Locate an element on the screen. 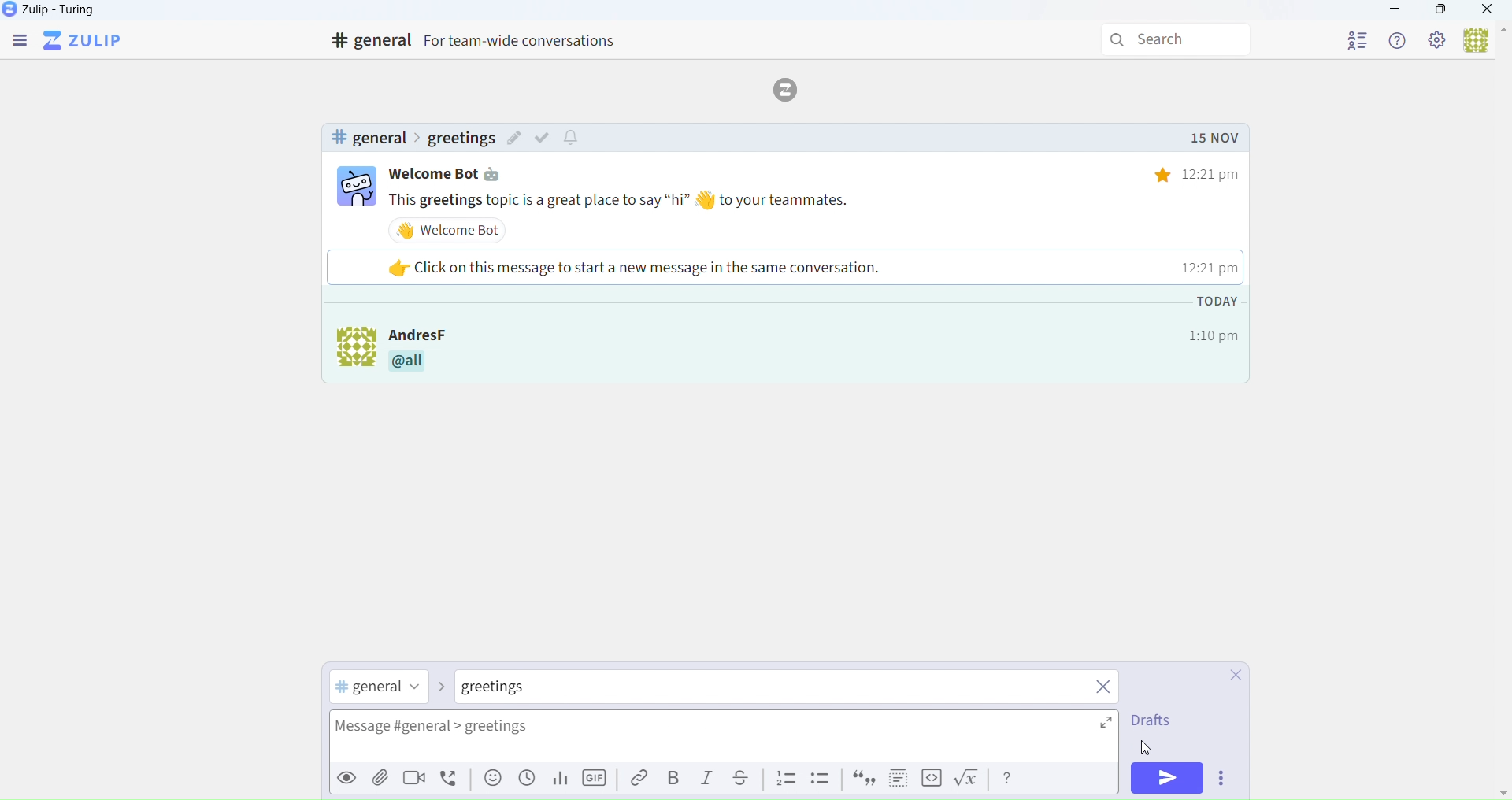  Voicecall is located at coordinates (452, 779).